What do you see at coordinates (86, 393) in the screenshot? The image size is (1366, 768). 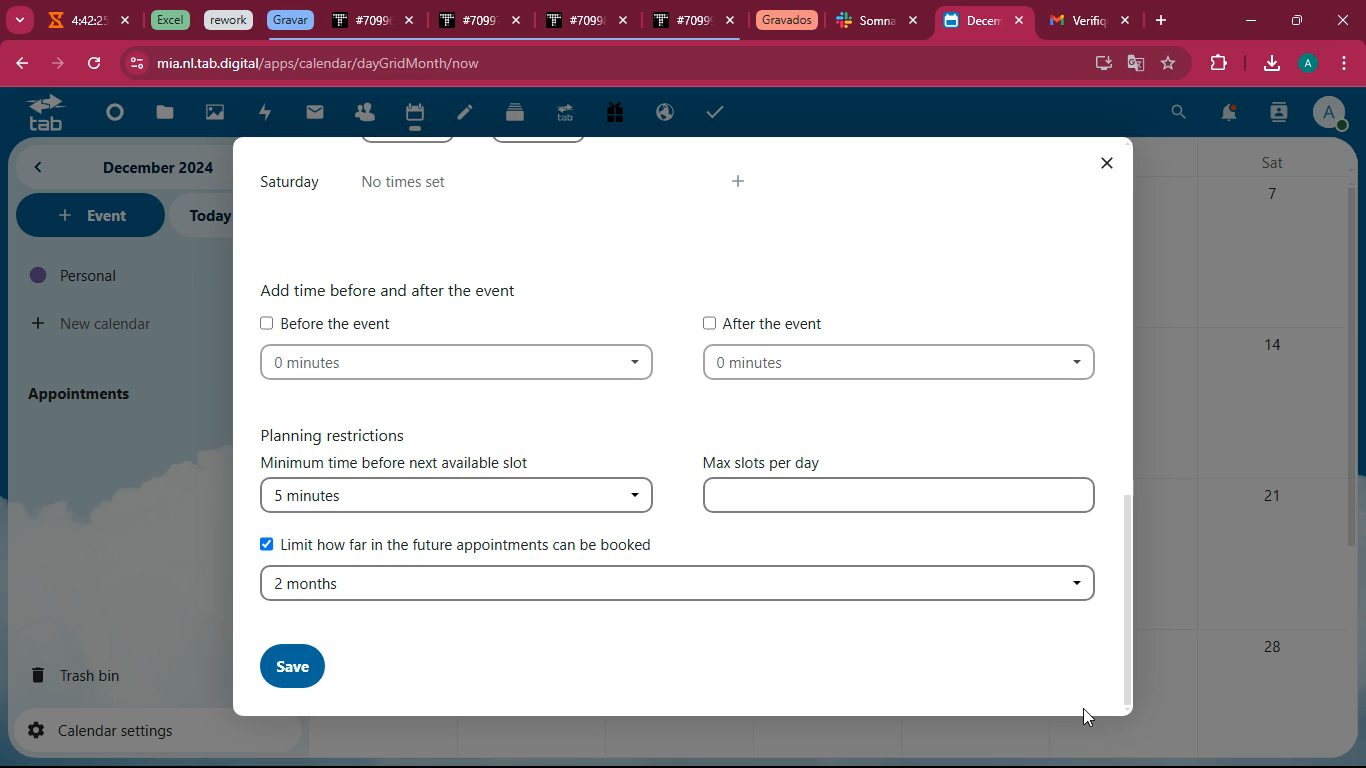 I see `appointments` at bounding box center [86, 393].